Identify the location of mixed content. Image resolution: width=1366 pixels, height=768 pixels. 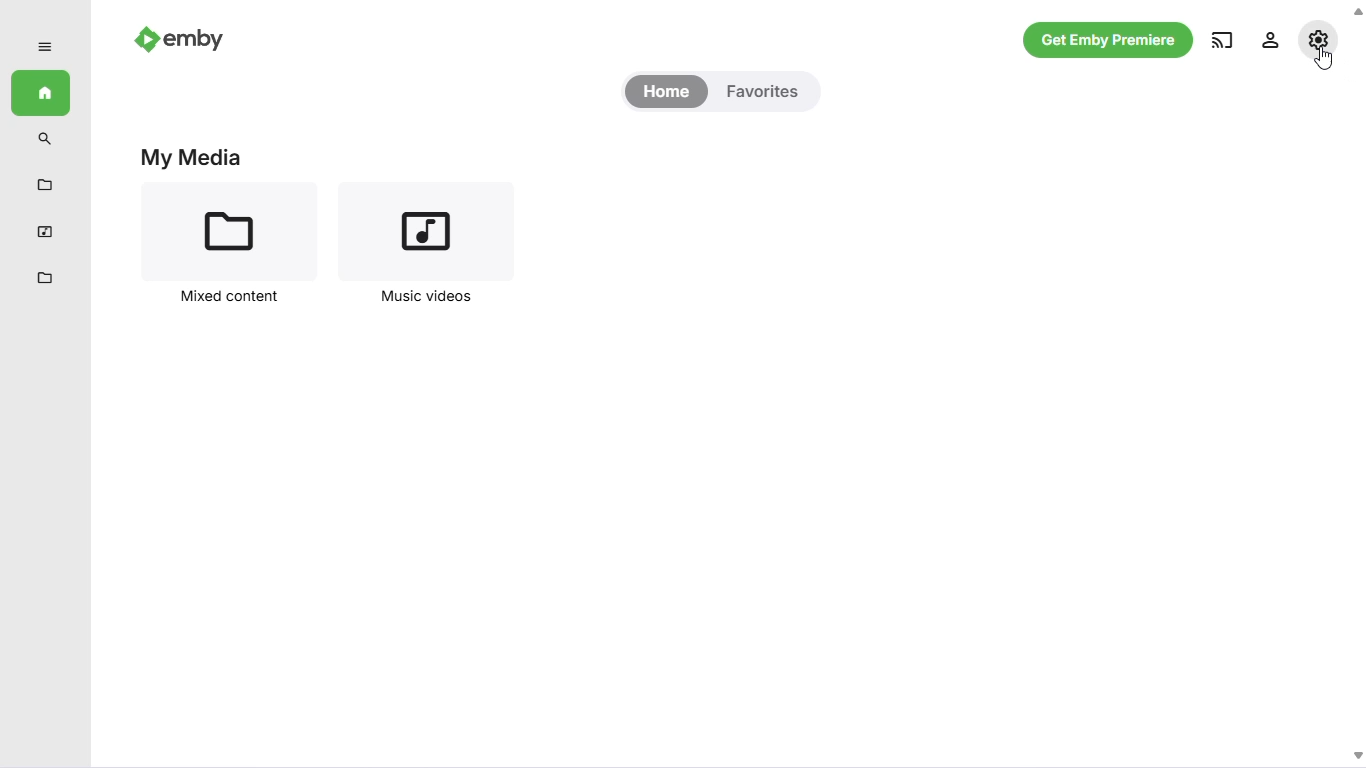
(234, 230).